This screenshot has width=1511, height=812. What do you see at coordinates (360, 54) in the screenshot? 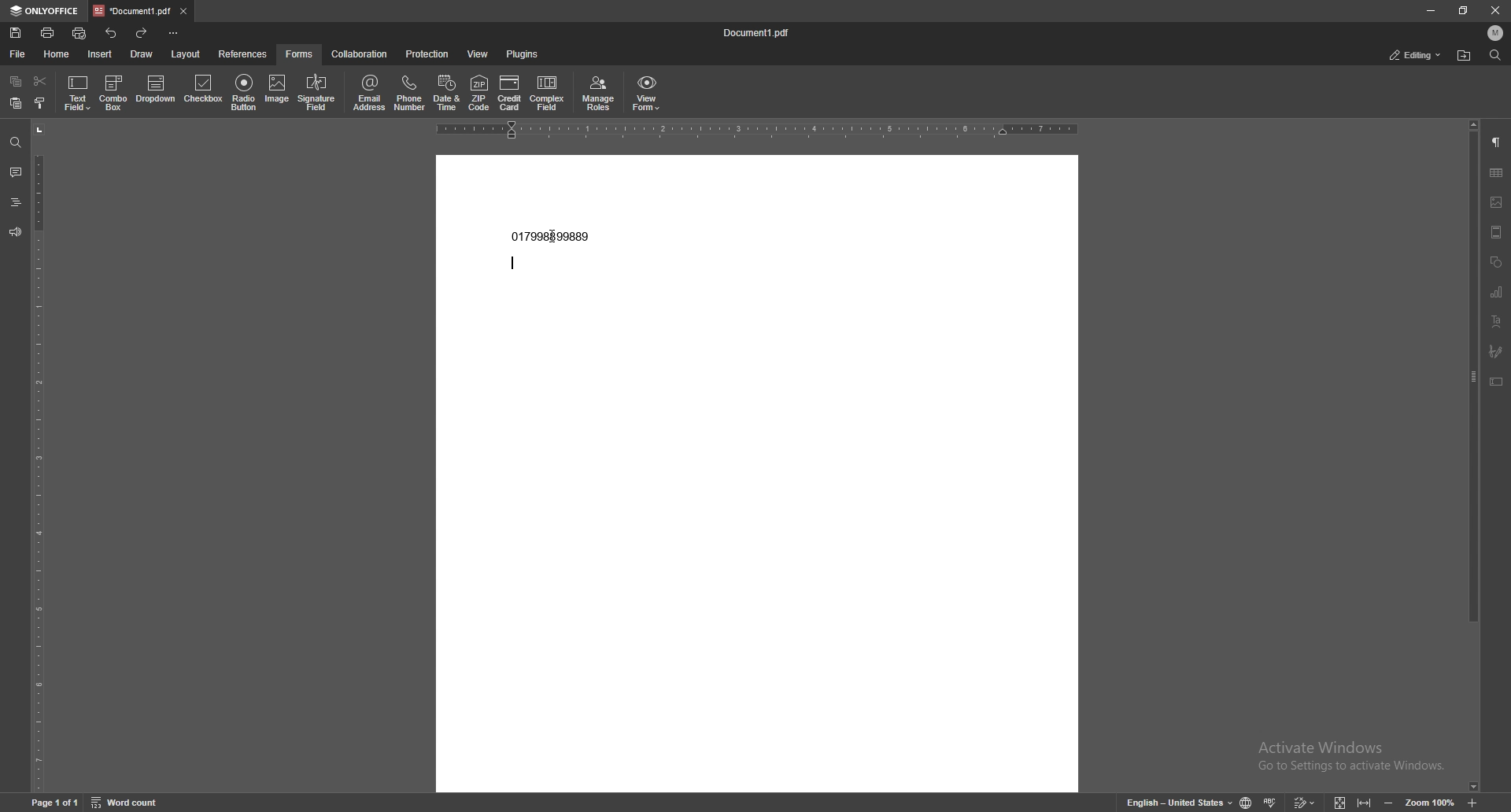
I see `collaboration` at bounding box center [360, 54].